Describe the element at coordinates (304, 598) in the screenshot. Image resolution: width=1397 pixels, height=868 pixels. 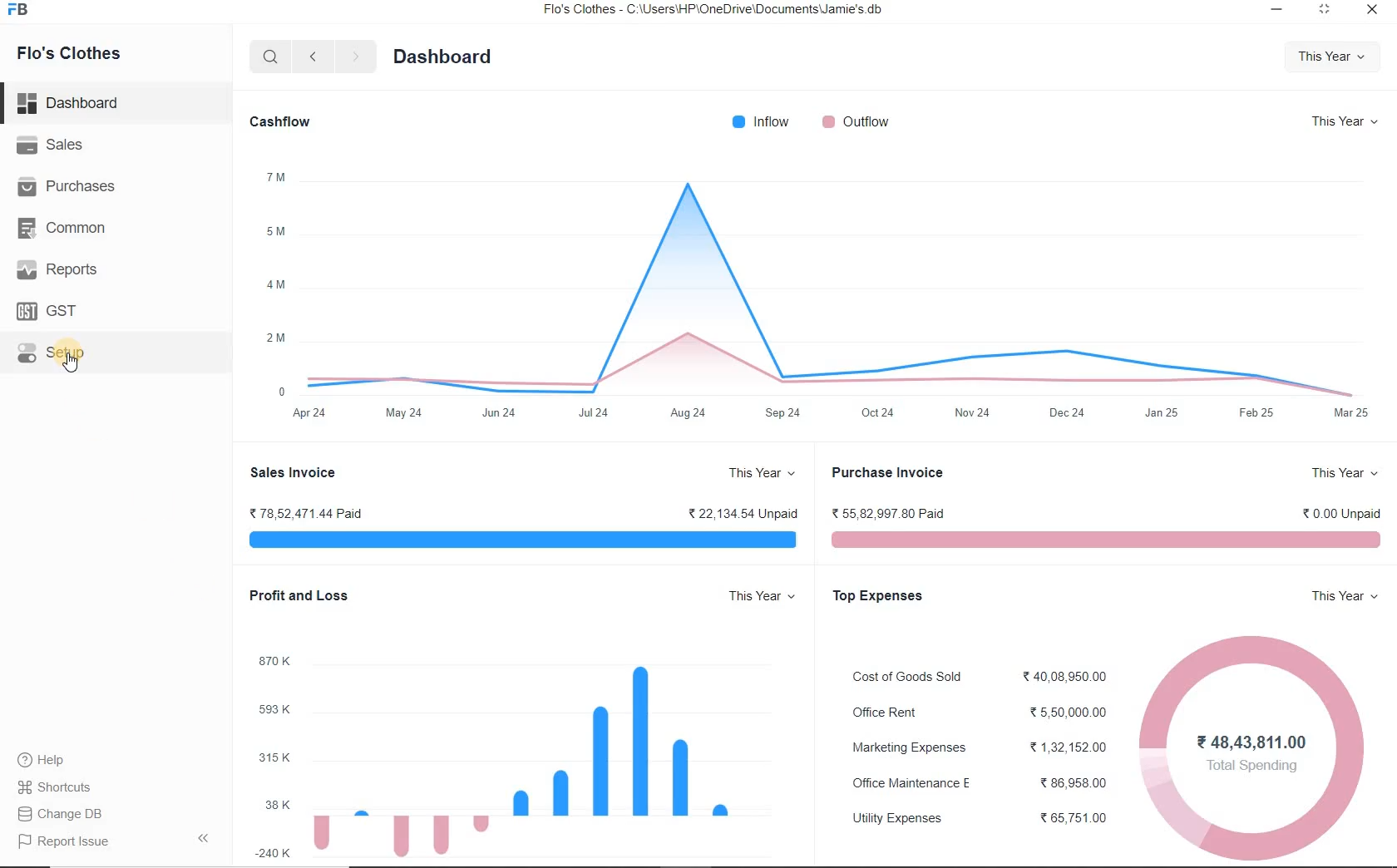
I see `profit and loss` at that location.